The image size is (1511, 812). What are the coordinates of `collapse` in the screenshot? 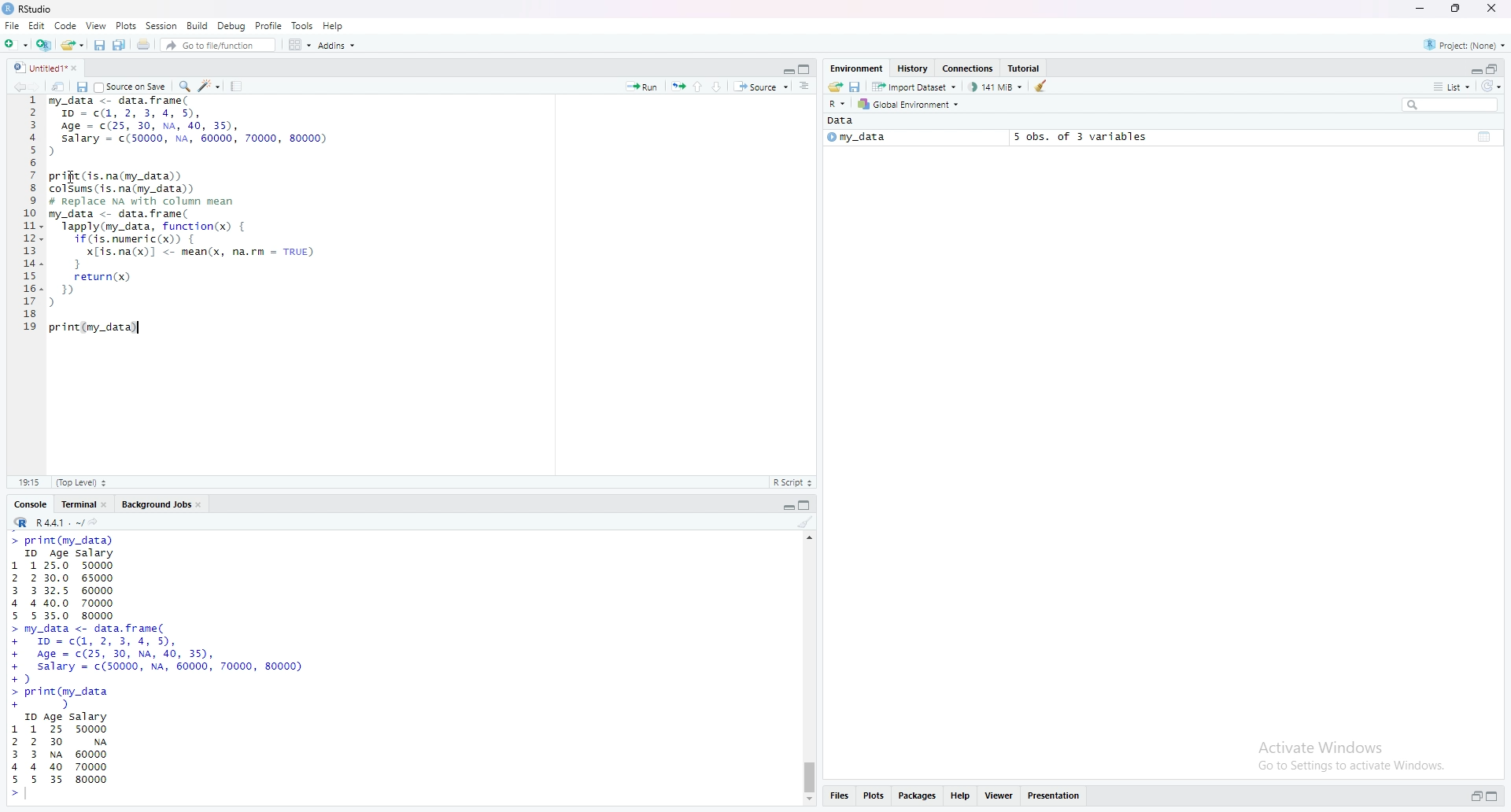 It's located at (1496, 797).